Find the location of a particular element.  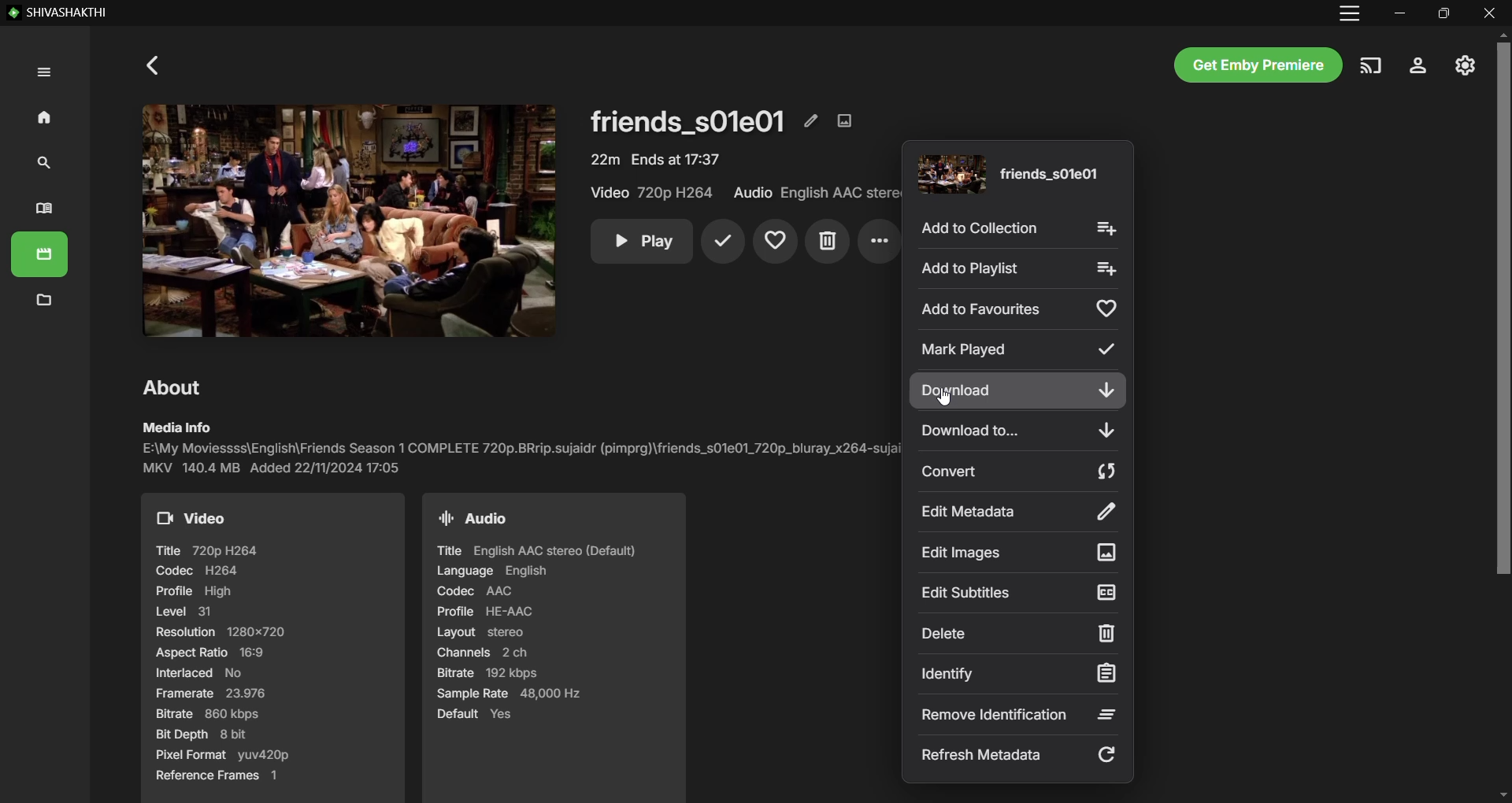

Edit Metadata is located at coordinates (811, 120).